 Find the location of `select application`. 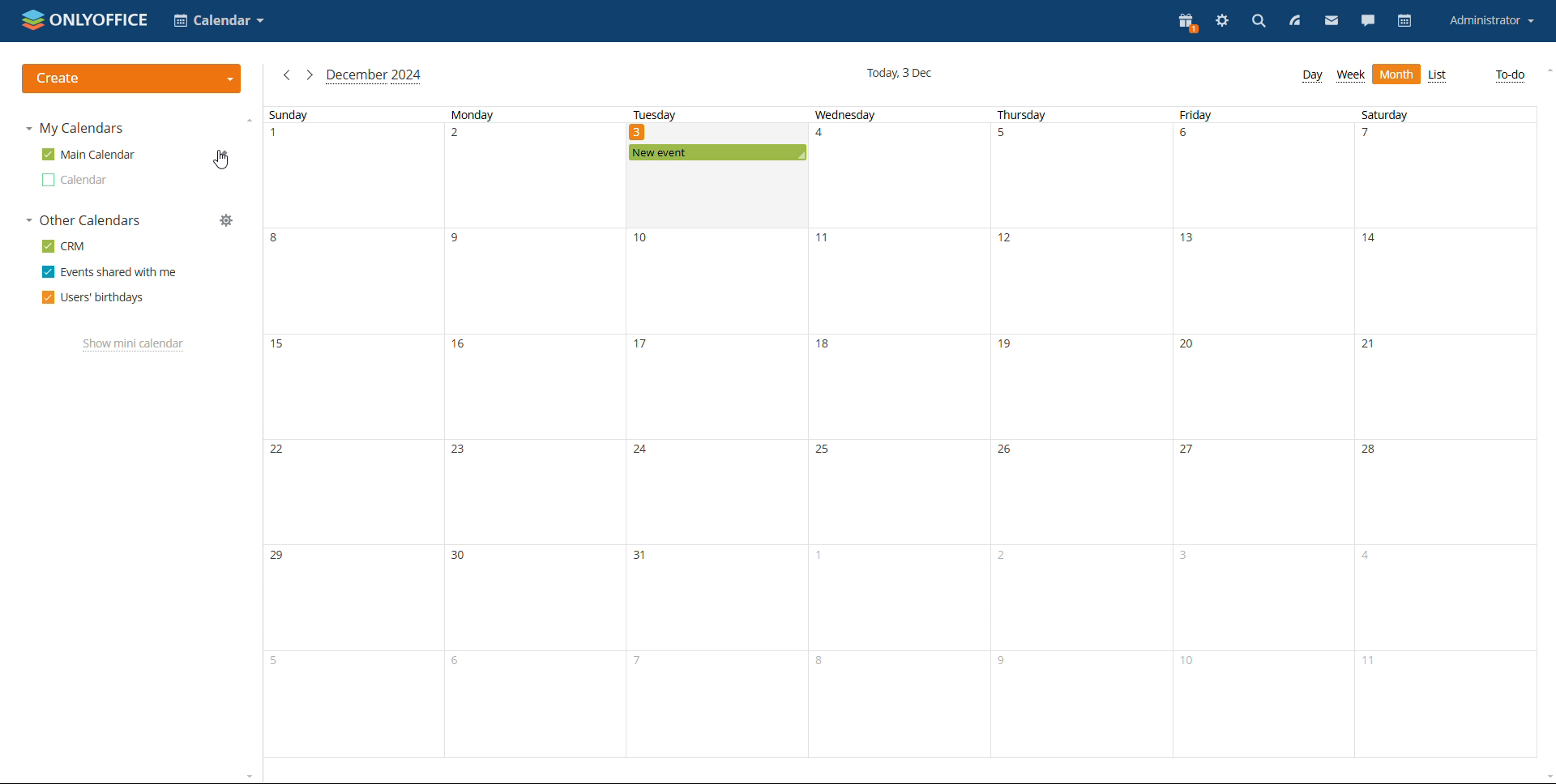

select application is located at coordinates (220, 21).